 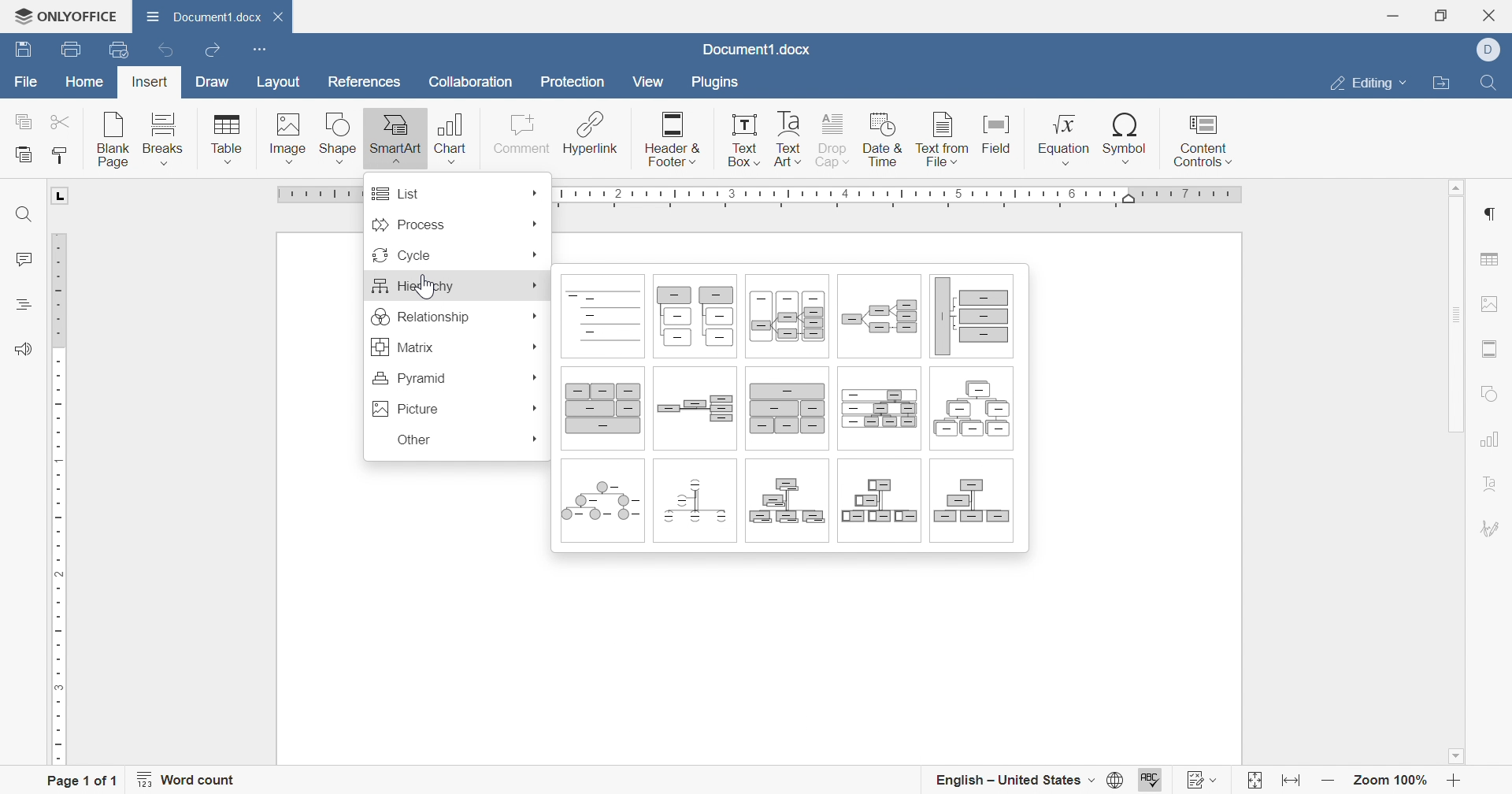 What do you see at coordinates (150, 83) in the screenshot?
I see `Insert` at bounding box center [150, 83].